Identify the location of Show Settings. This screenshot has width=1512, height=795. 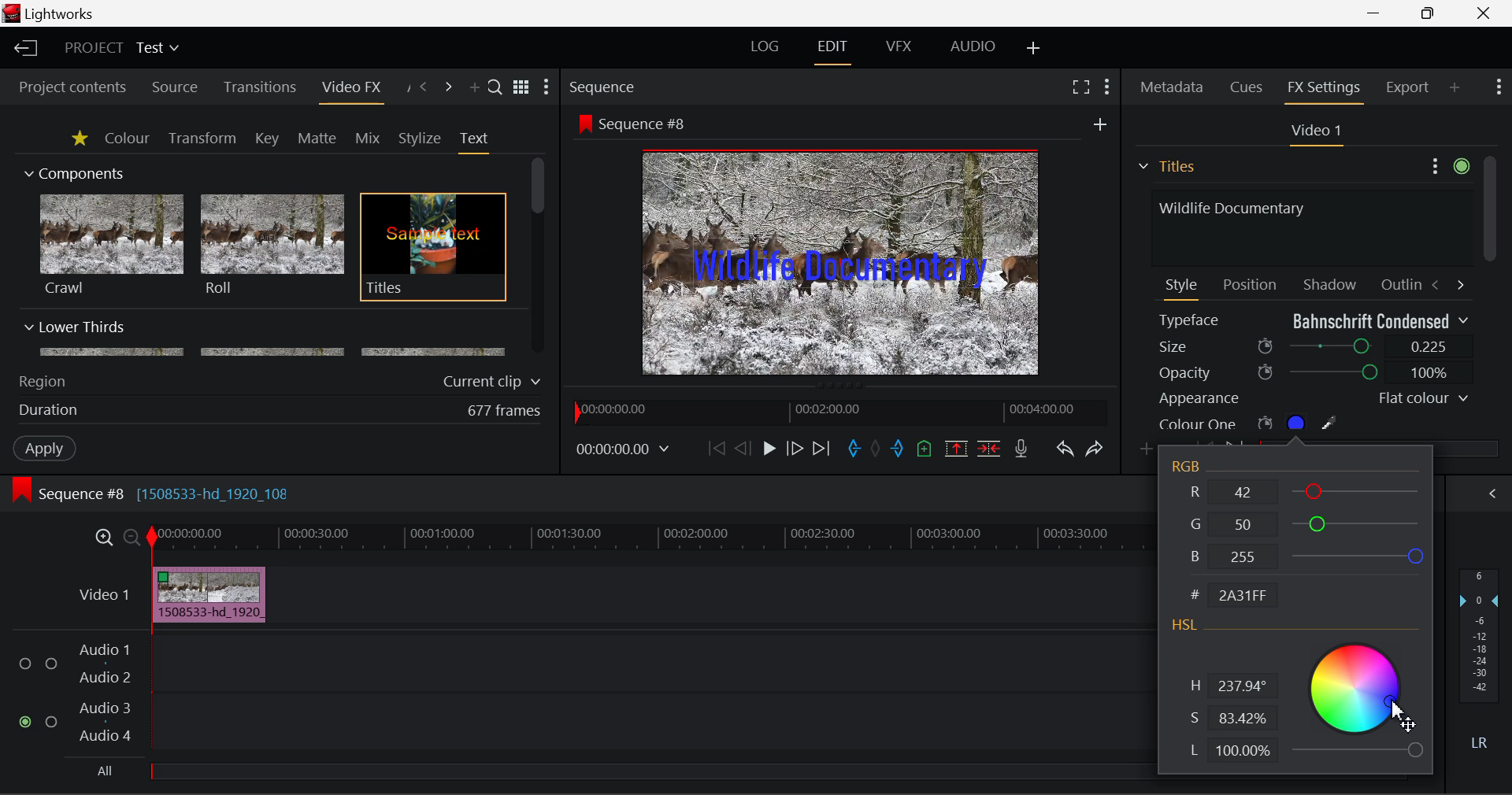
(1109, 87).